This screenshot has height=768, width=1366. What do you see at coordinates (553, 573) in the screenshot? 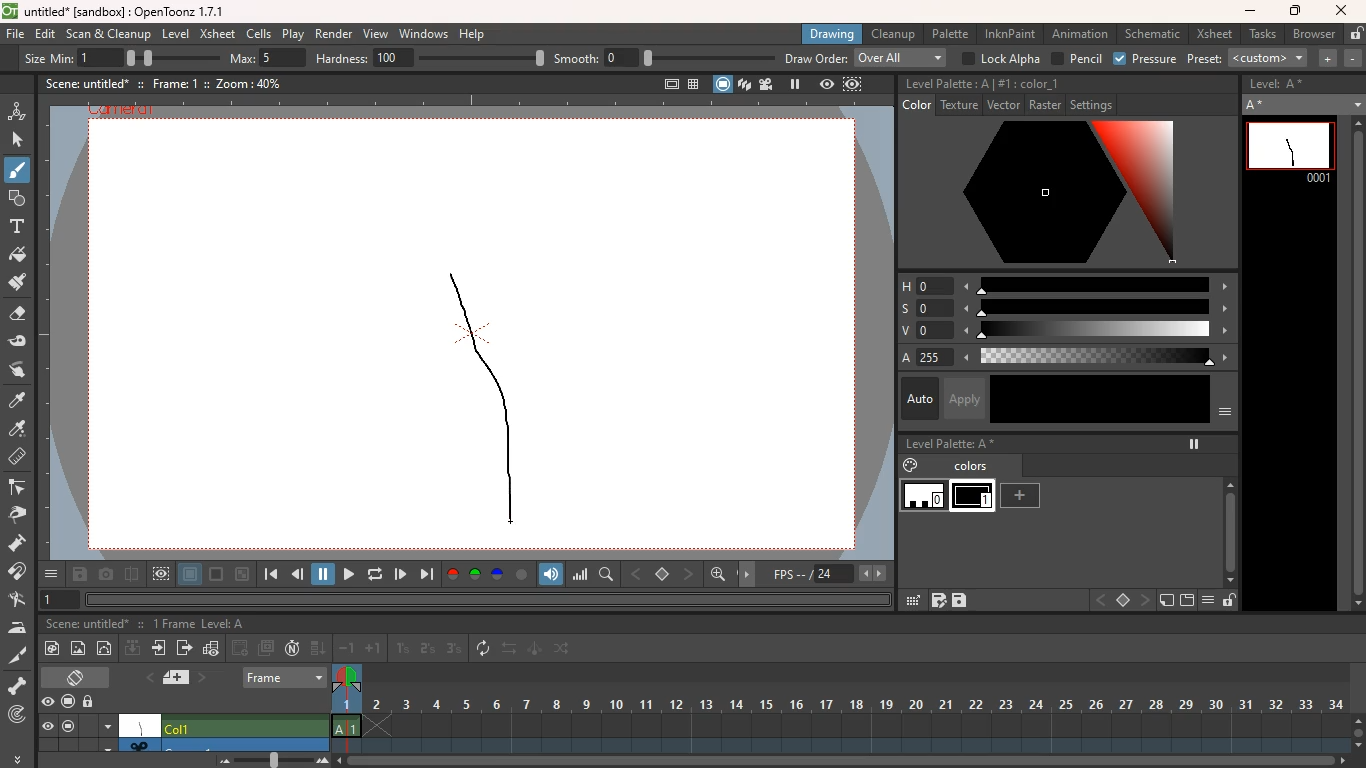
I see `volume` at bounding box center [553, 573].